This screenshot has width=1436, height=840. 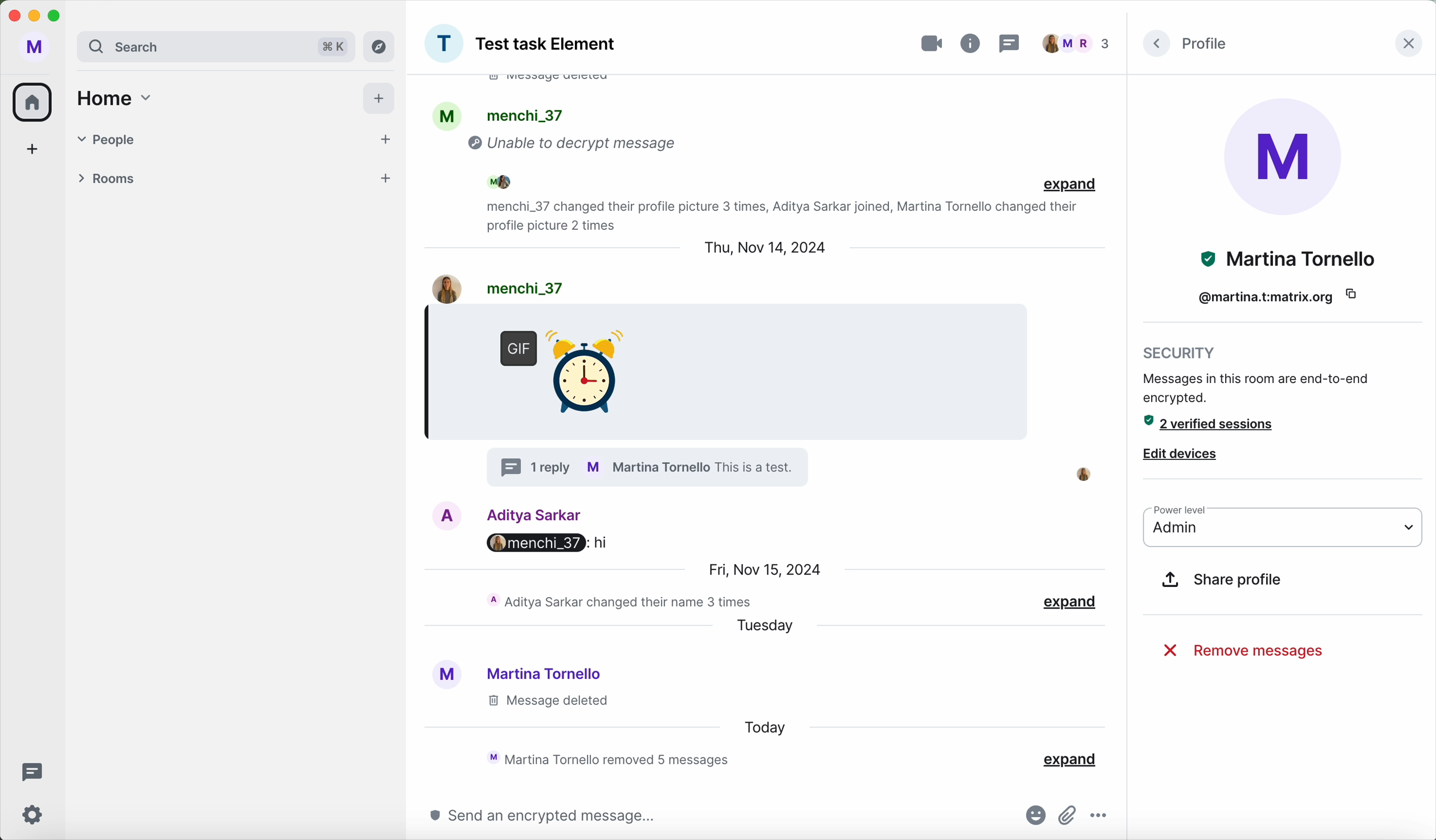 What do you see at coordinates (1285, 156) in the screenshot?
I see `profile image` at bounding box center [1285, 156].